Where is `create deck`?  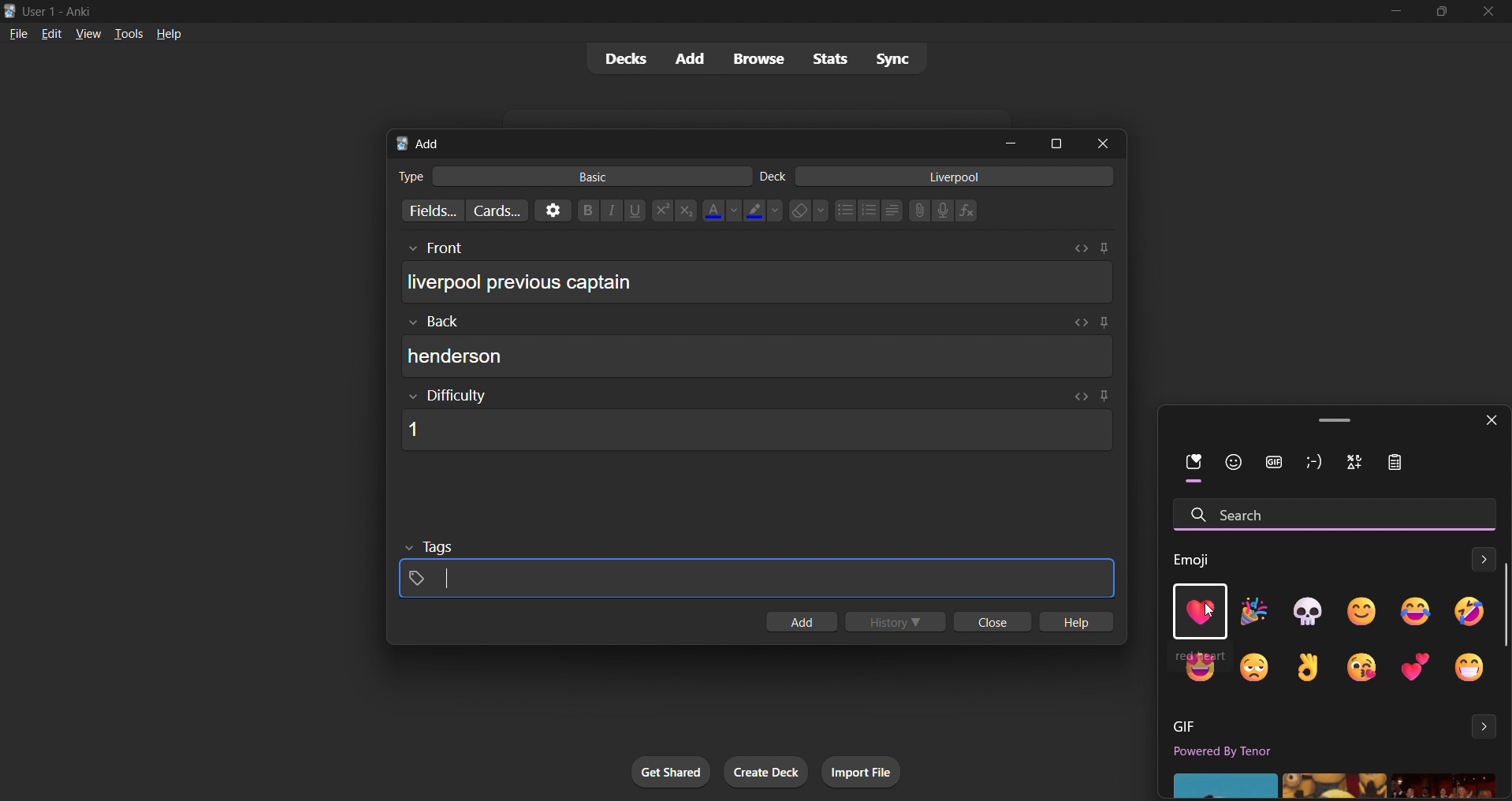 create deck is located at coordinates (767, 773).